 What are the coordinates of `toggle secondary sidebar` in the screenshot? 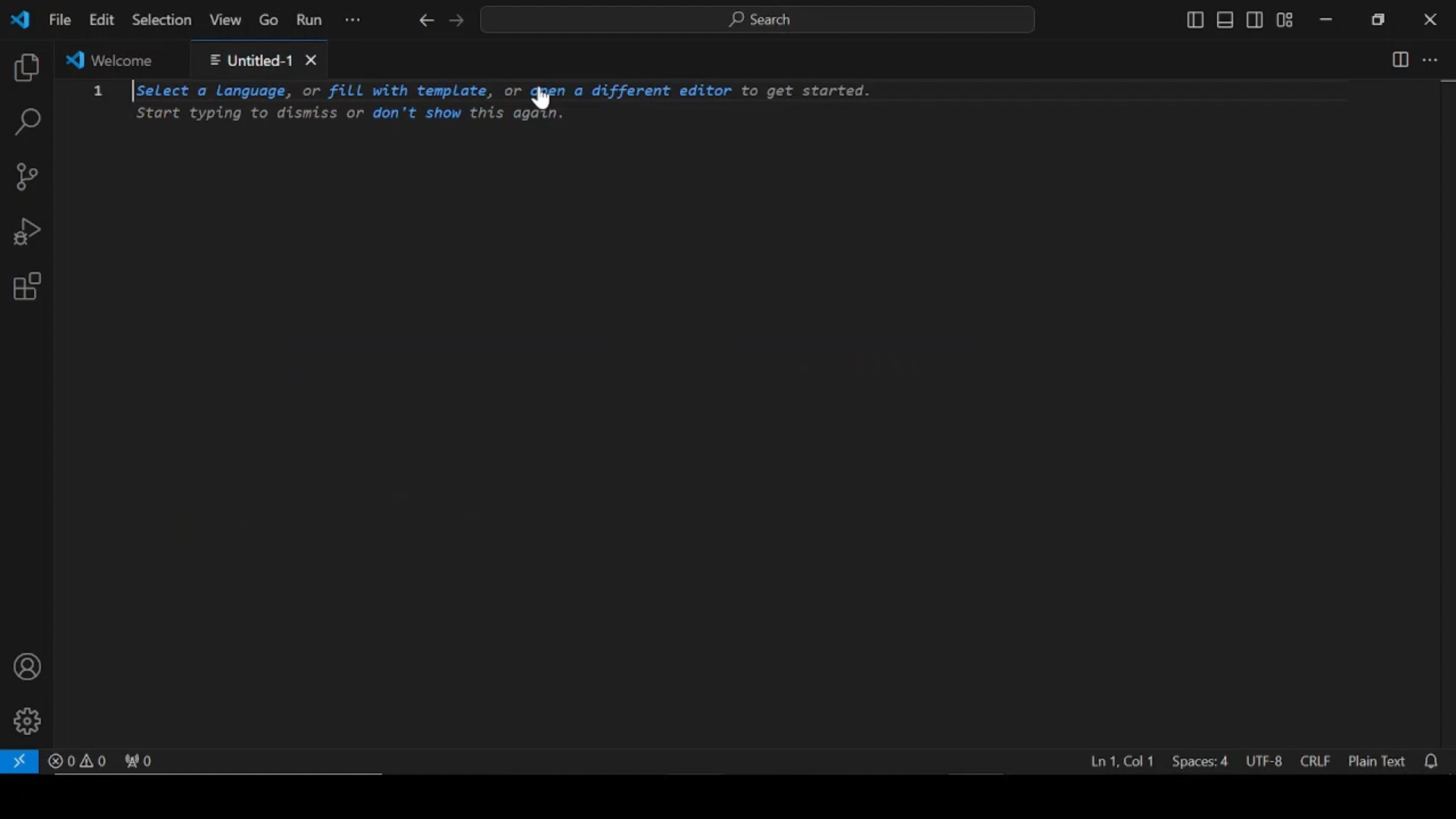 It's located at (1254, 20).